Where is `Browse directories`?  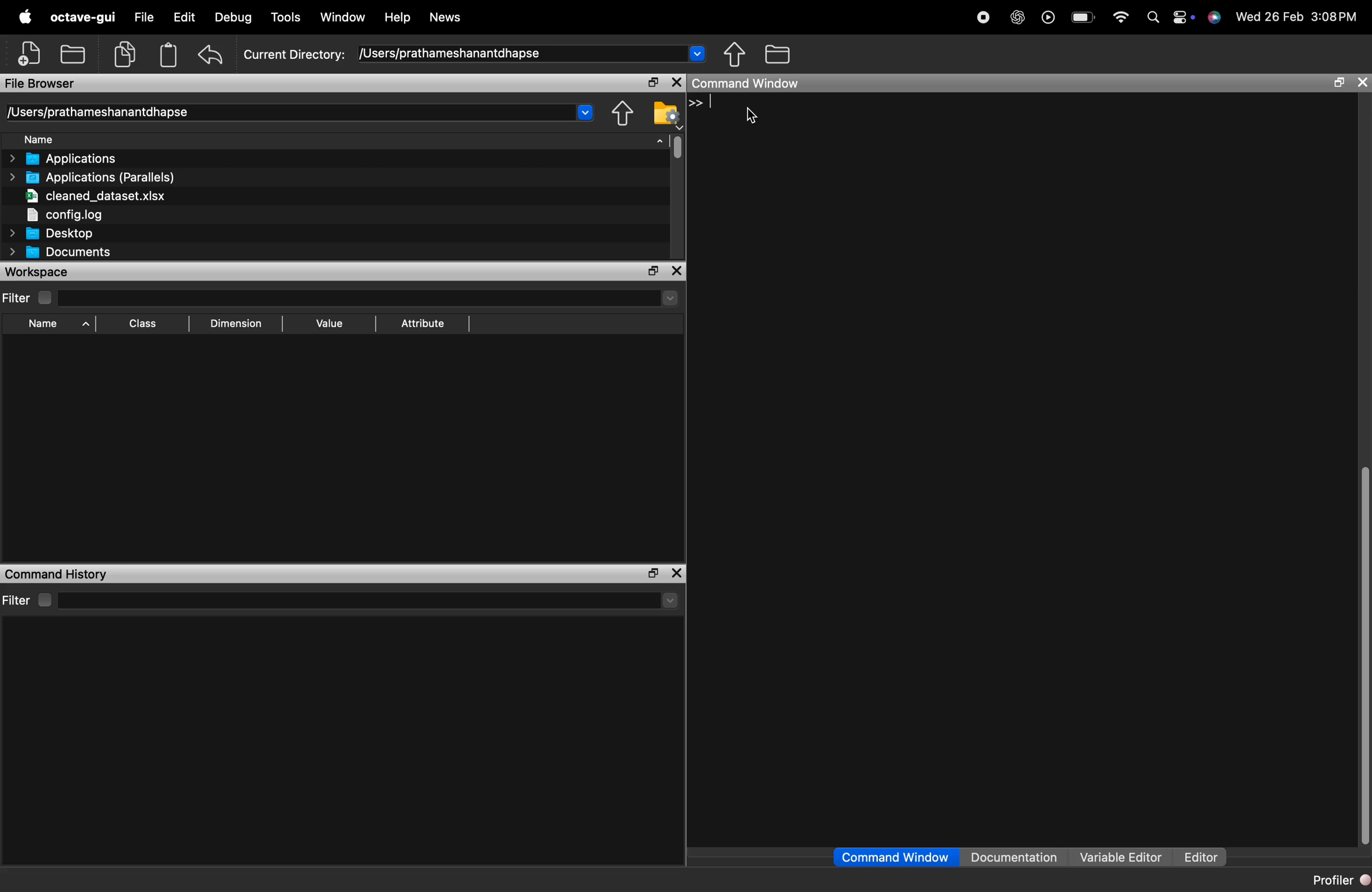
Browse directories is located at coordinates (665, 114).